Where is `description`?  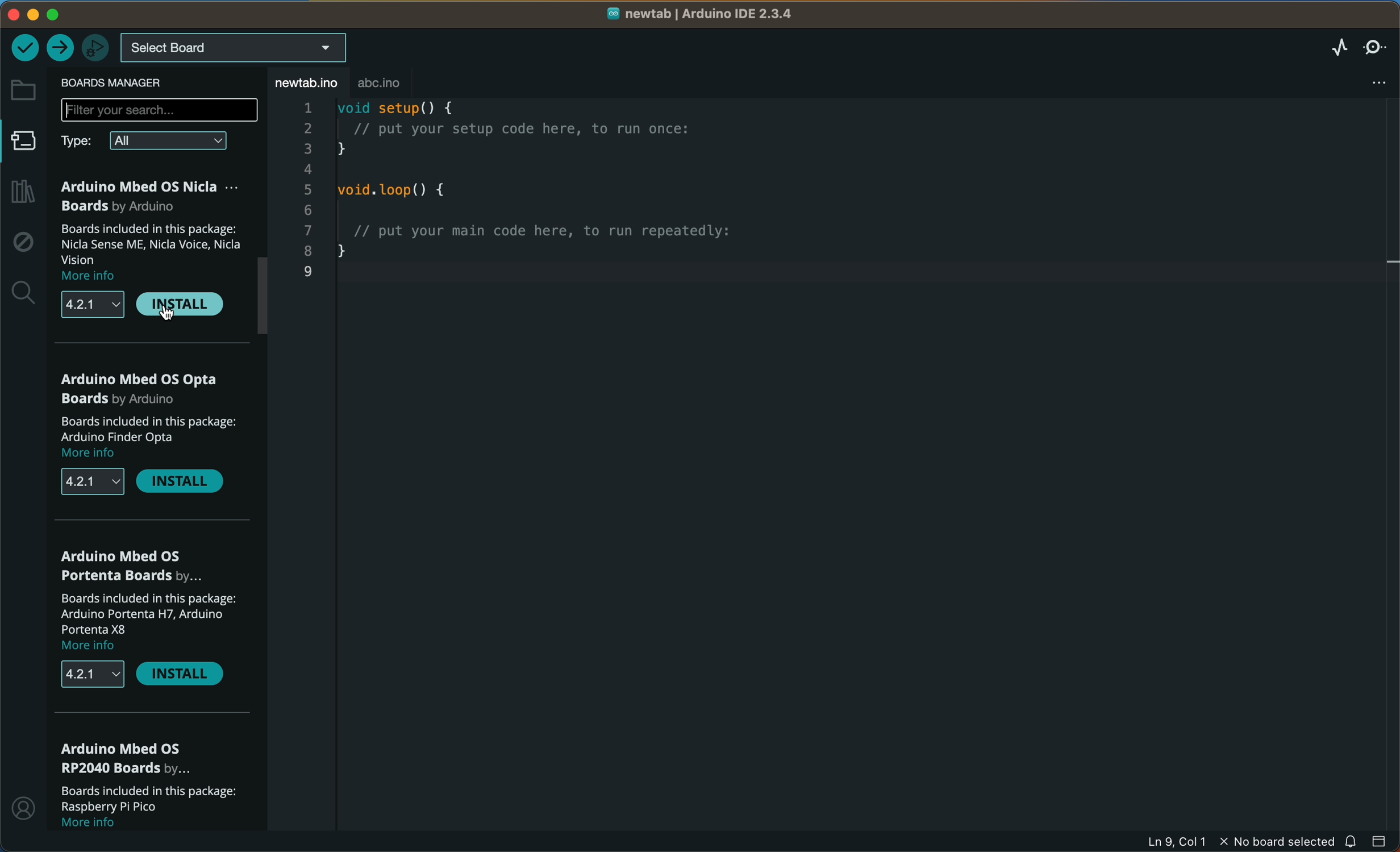
description is located at coordinates (147, 799).